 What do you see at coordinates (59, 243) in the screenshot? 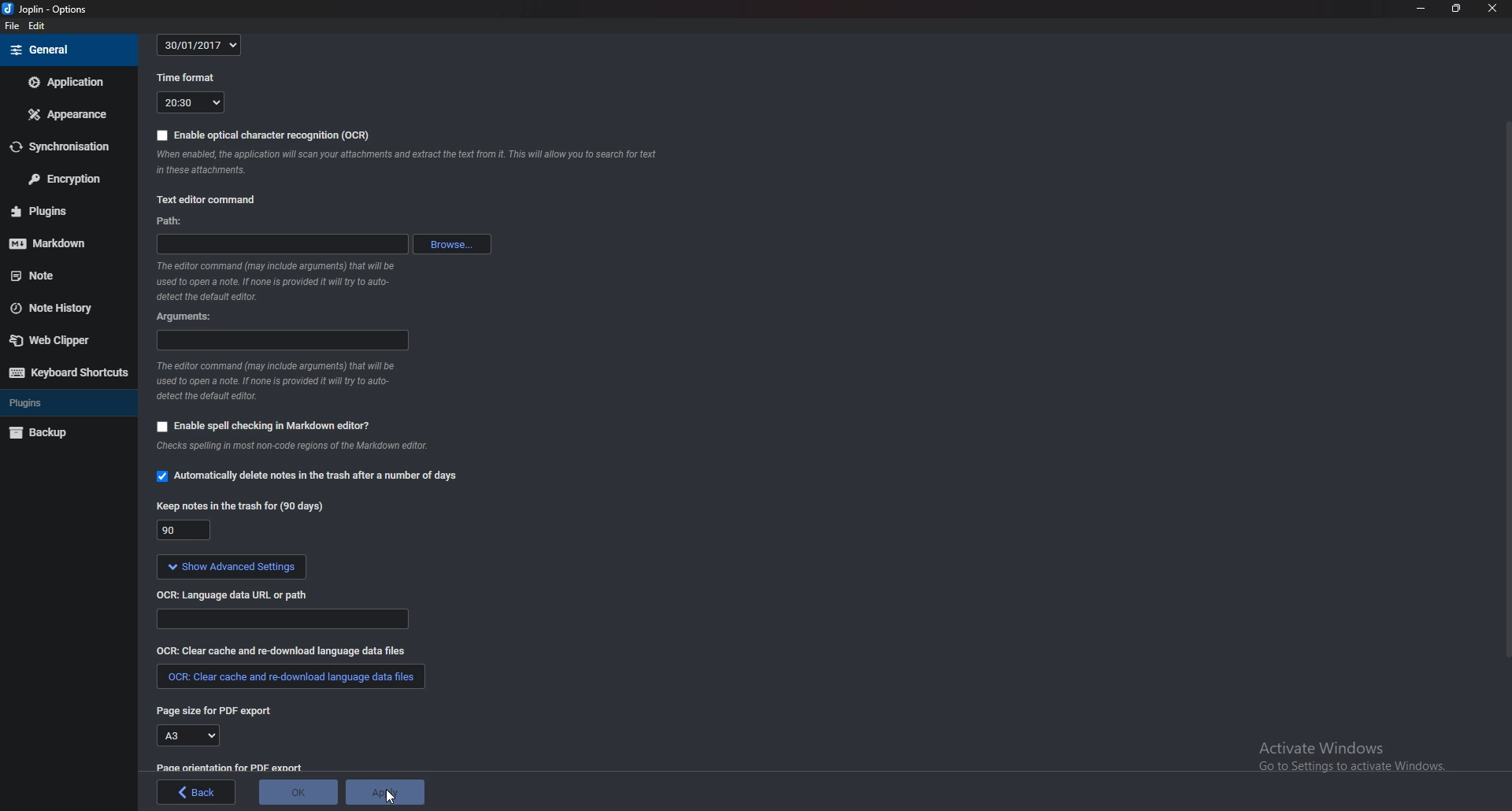
I see `Mark down` at bounding box center [59, 243].